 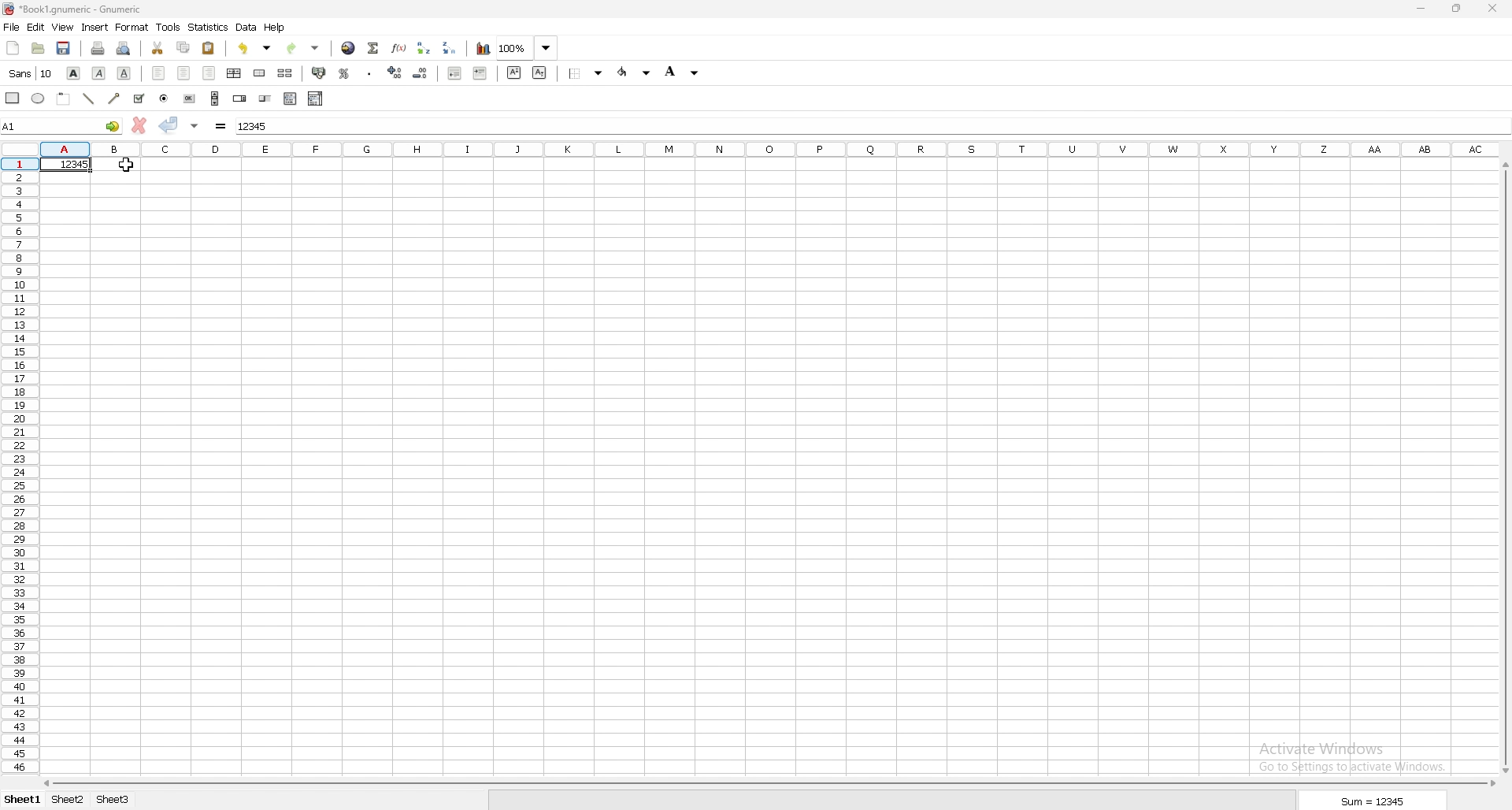 What do you see at coordinates (1493, 9) in the screenshot?
I see `close` at bounding box center [1493, 9].